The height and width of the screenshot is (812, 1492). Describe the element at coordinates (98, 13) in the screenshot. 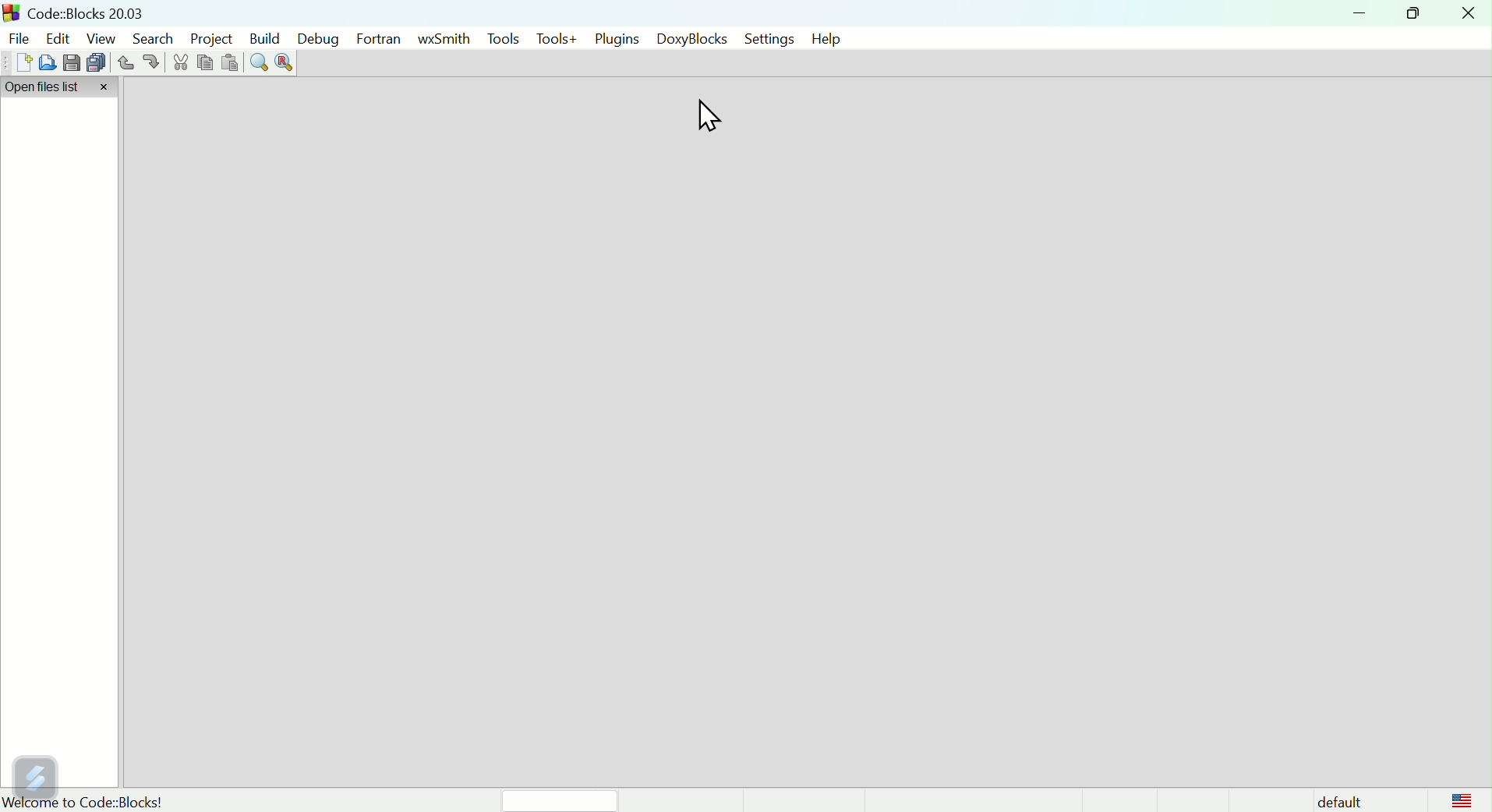

I see `Court blocks 2003` at that location.